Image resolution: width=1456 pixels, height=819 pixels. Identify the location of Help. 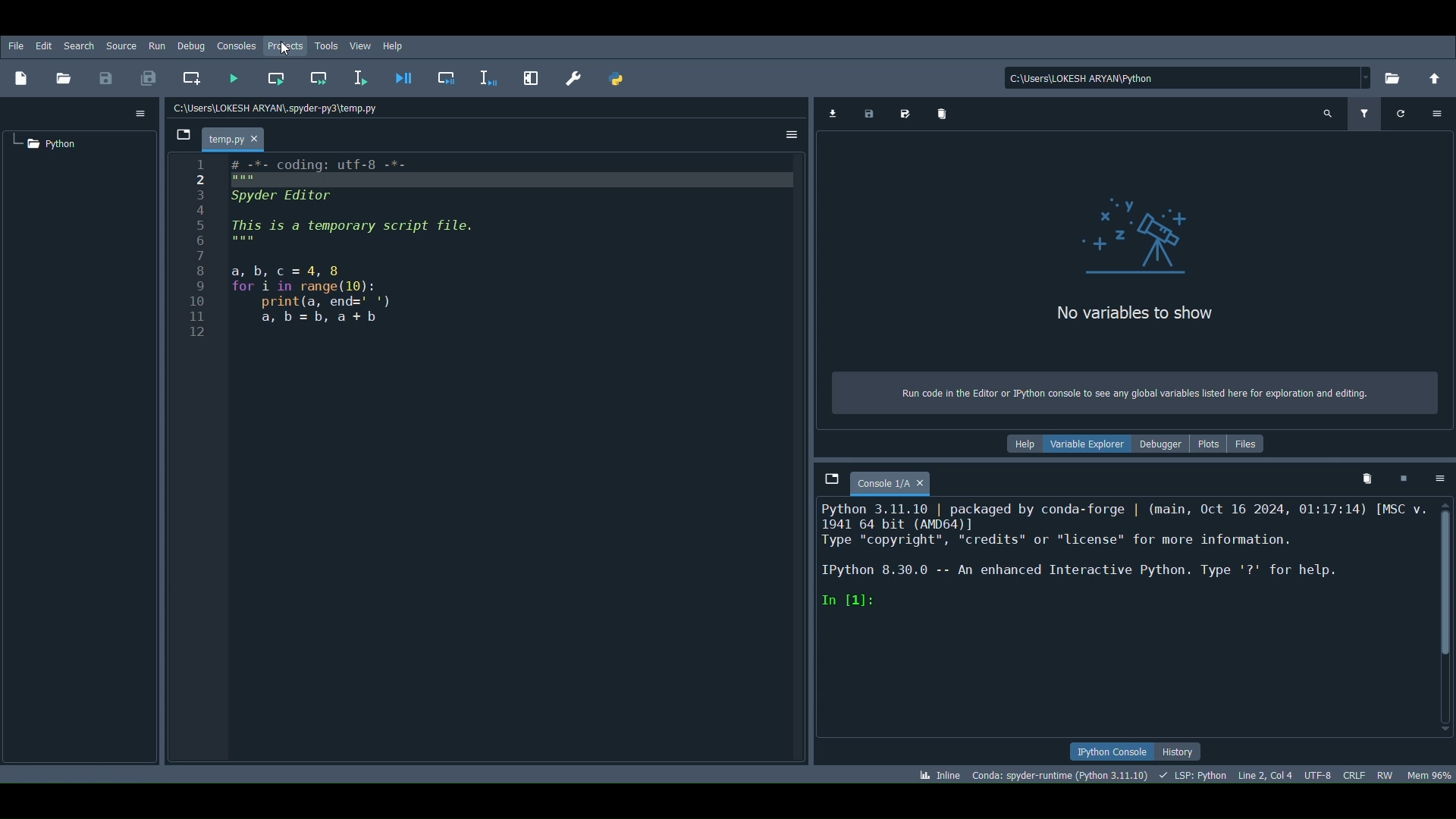
(1018, 444).